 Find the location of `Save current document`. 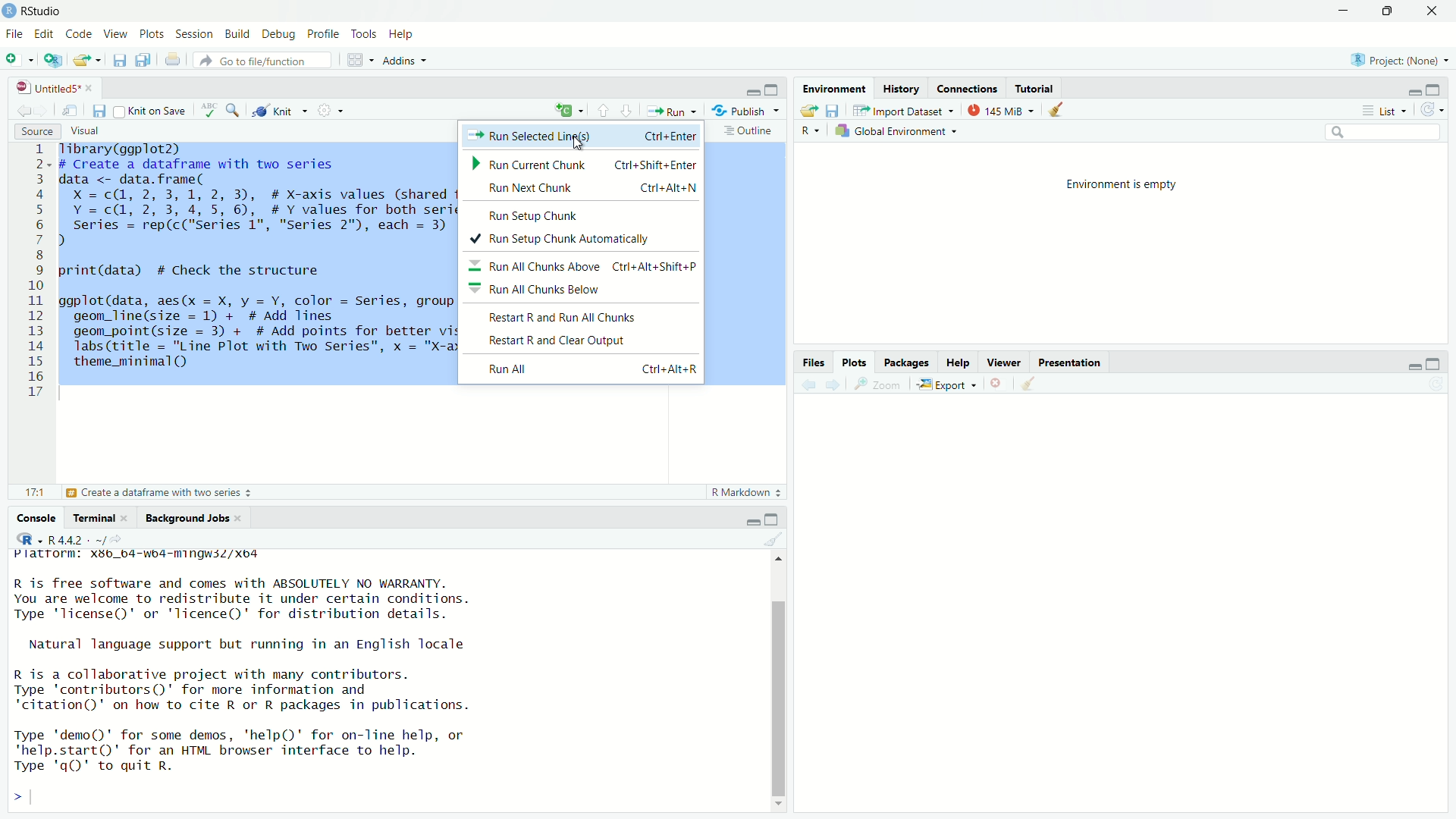

Save current document is located at coordinates (99, 111).